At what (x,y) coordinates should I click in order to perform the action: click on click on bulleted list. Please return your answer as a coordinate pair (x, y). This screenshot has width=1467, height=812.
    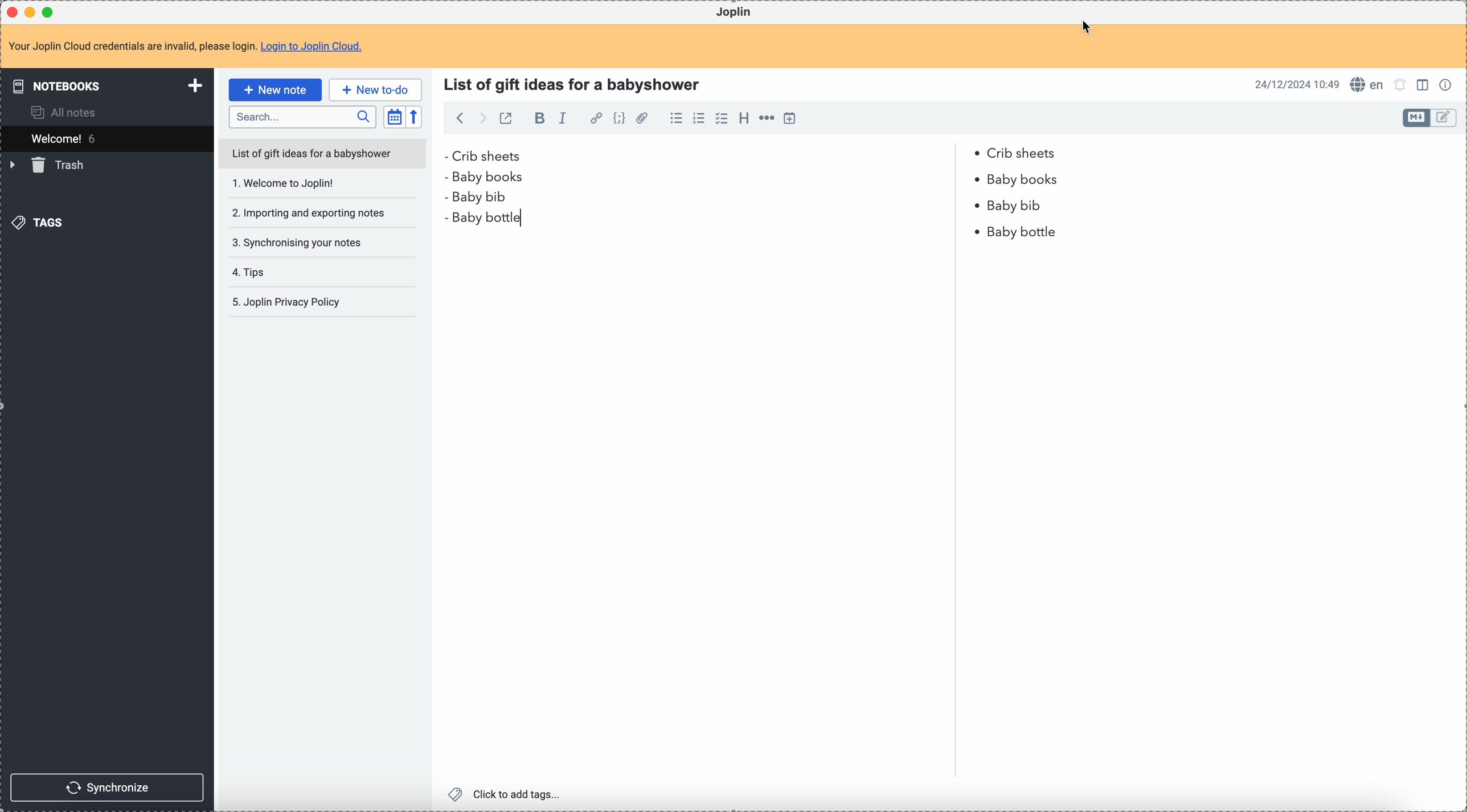
    Looking at the image, I should click on (679, 119).